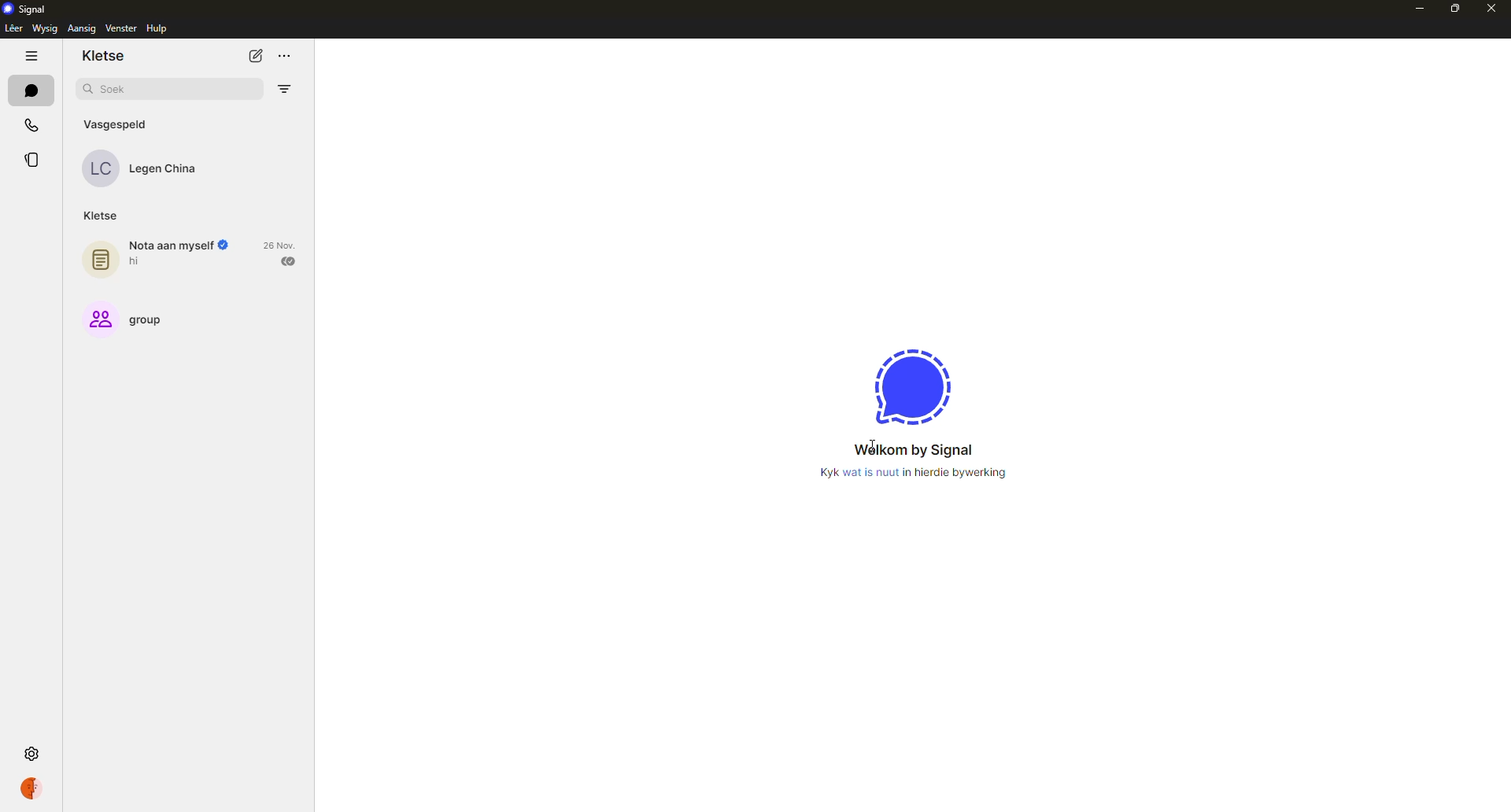 This screenshot has height=812, width=1511. What do you see at coordinates (125, 318) in the screenshot?
I see `group` at bounding box center [125, 318].